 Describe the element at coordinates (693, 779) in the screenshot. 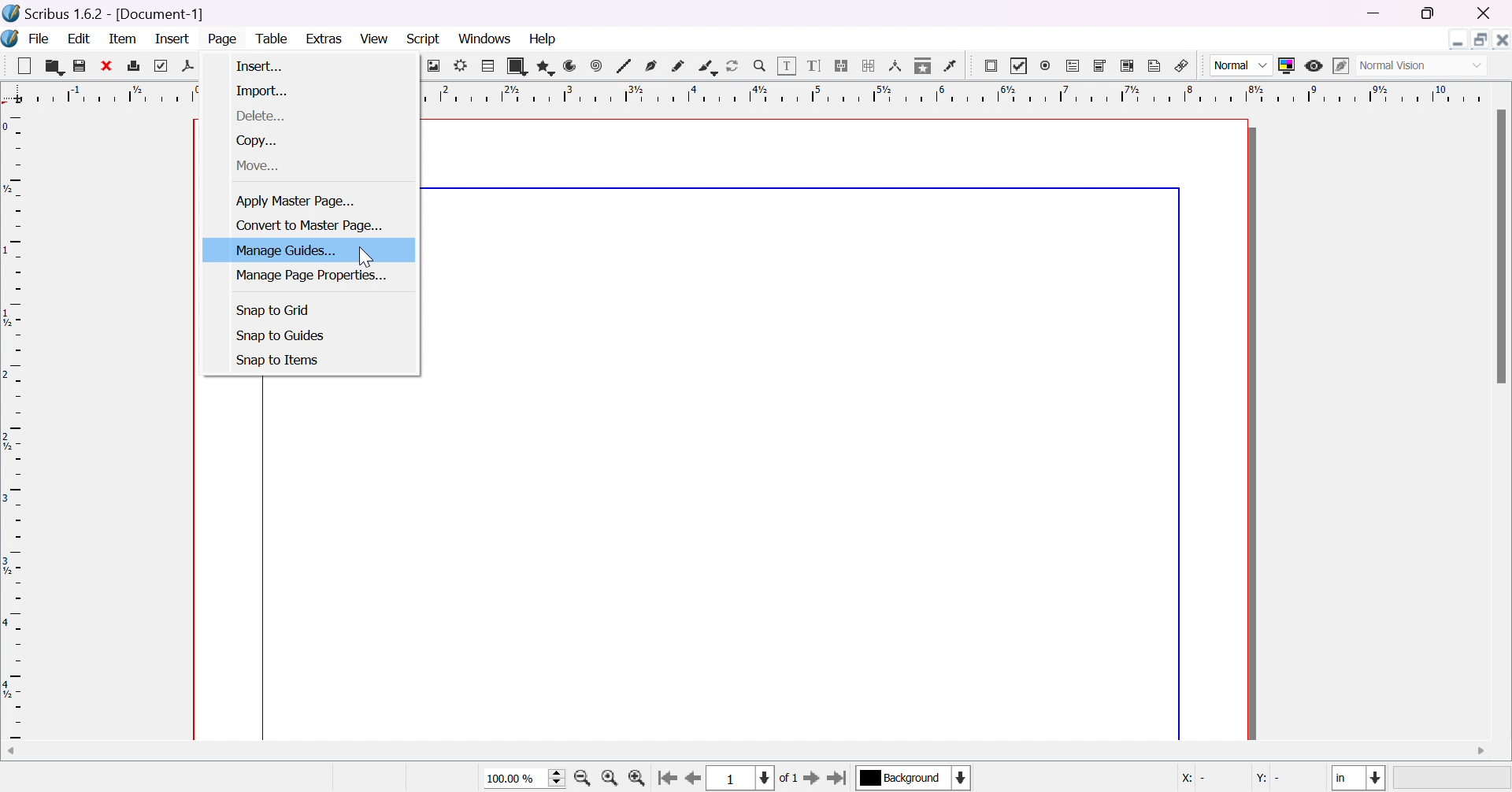

I see `go to previous page` at that location.